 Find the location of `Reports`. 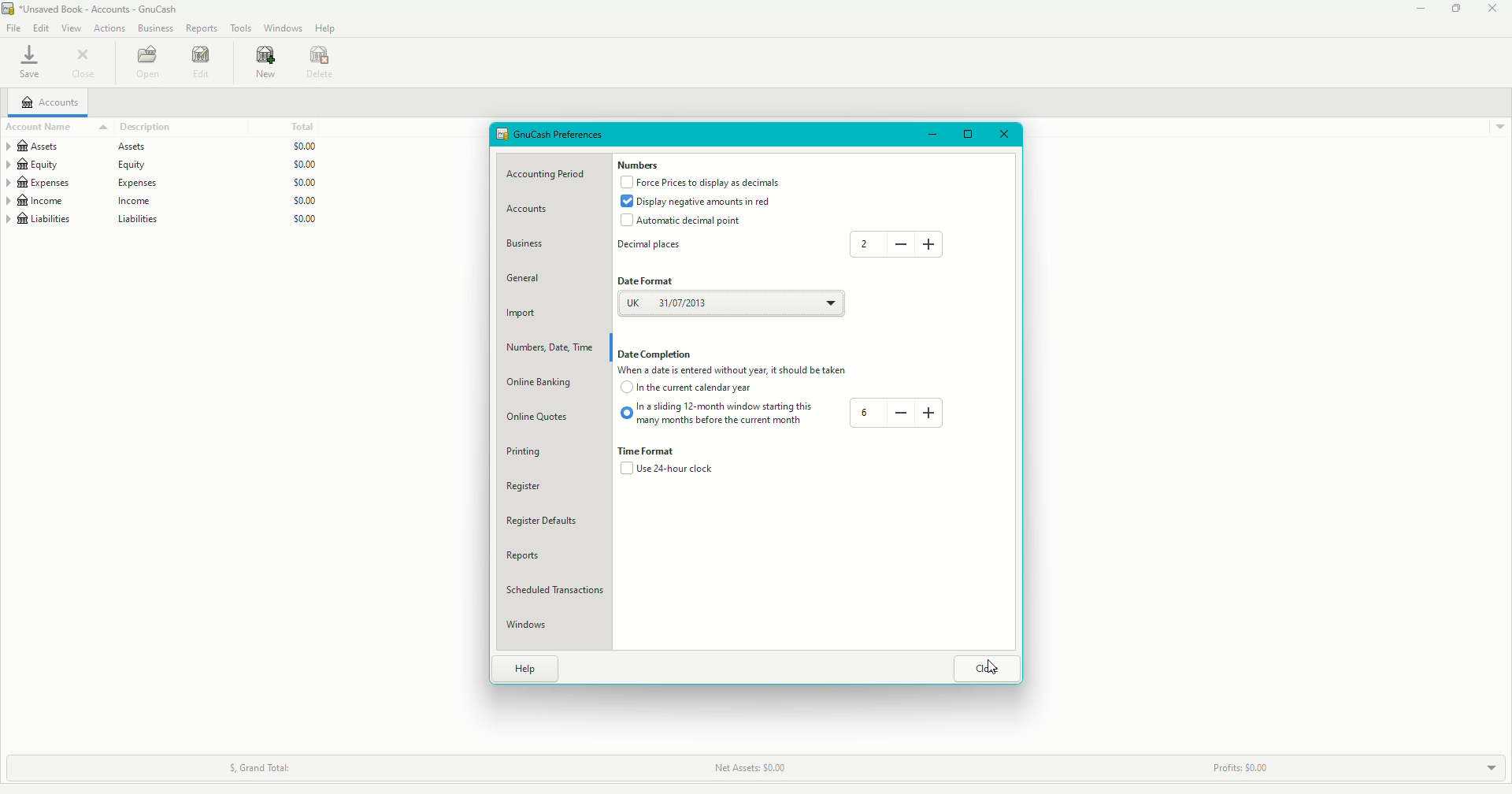

Reports is located at coordinates (202, 28).